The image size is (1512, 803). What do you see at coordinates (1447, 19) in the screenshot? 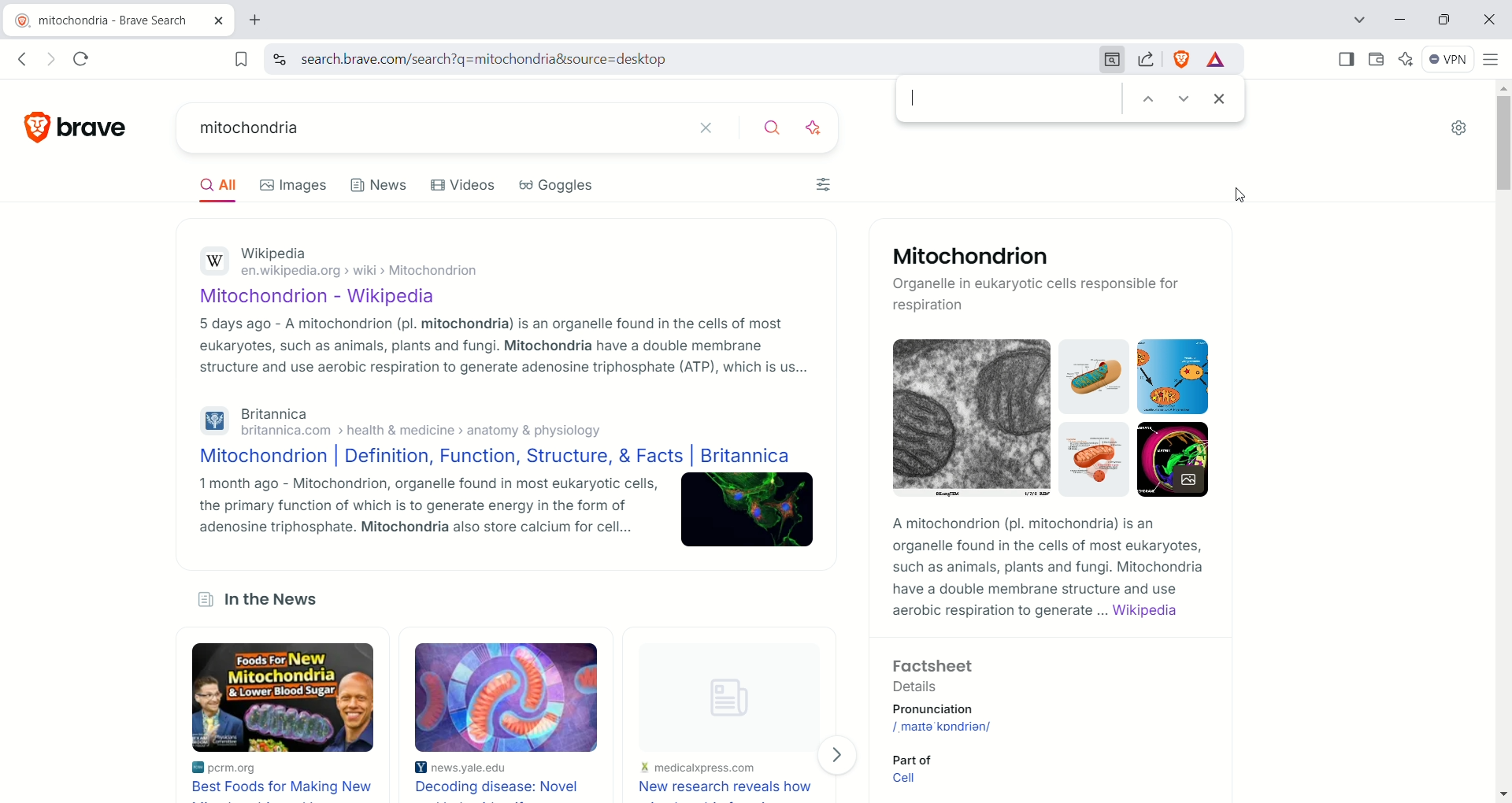
I see `Restore down` at bounding box center [1447, 19].